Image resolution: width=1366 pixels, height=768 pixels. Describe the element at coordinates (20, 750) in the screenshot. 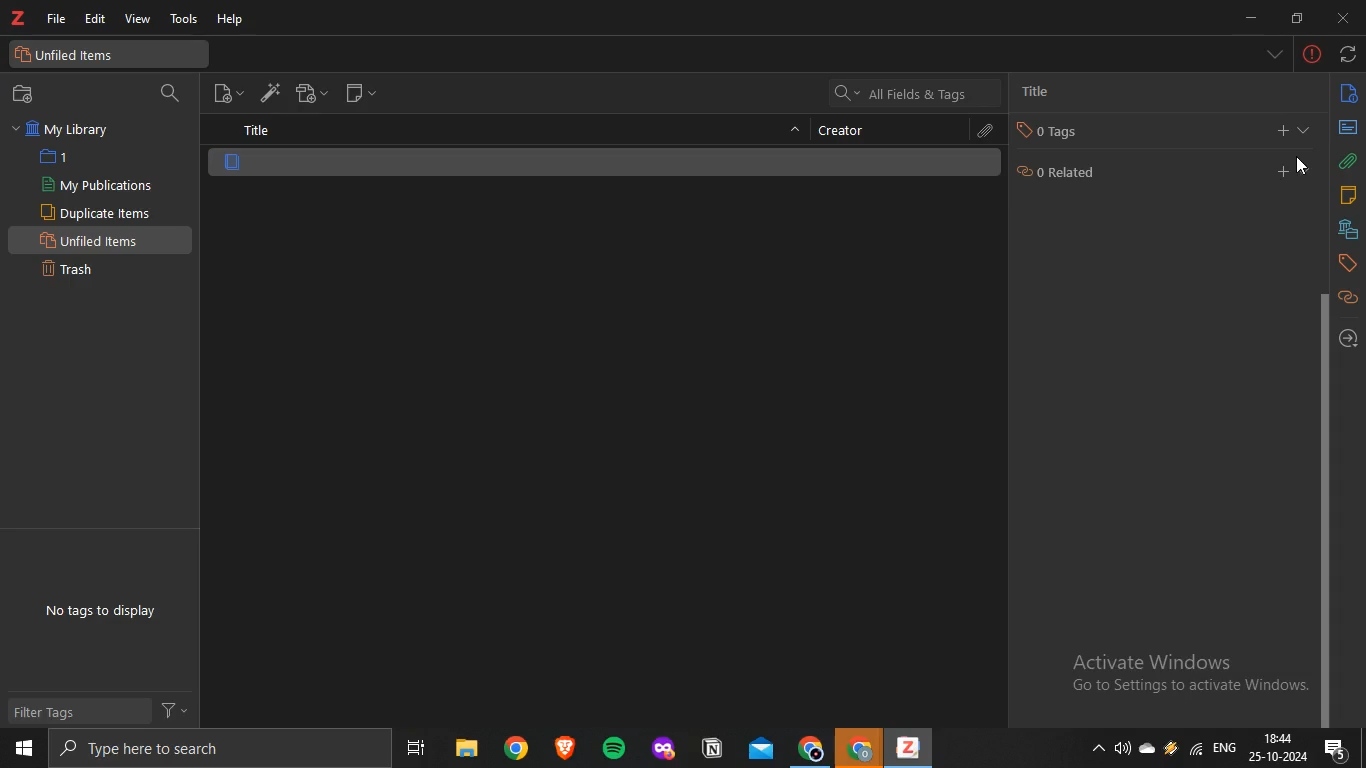

I see `start` at that location.